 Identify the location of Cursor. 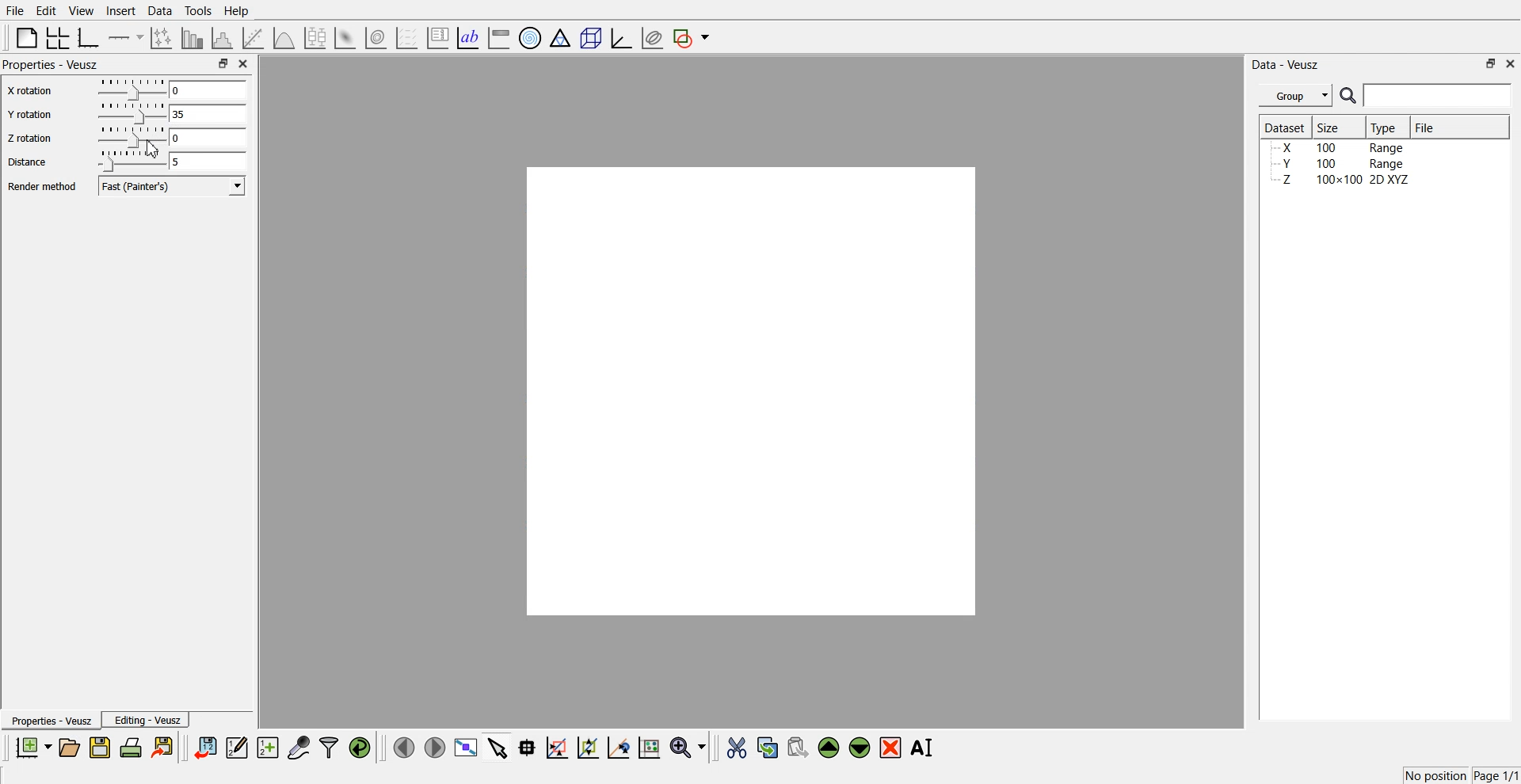
(153, 148).